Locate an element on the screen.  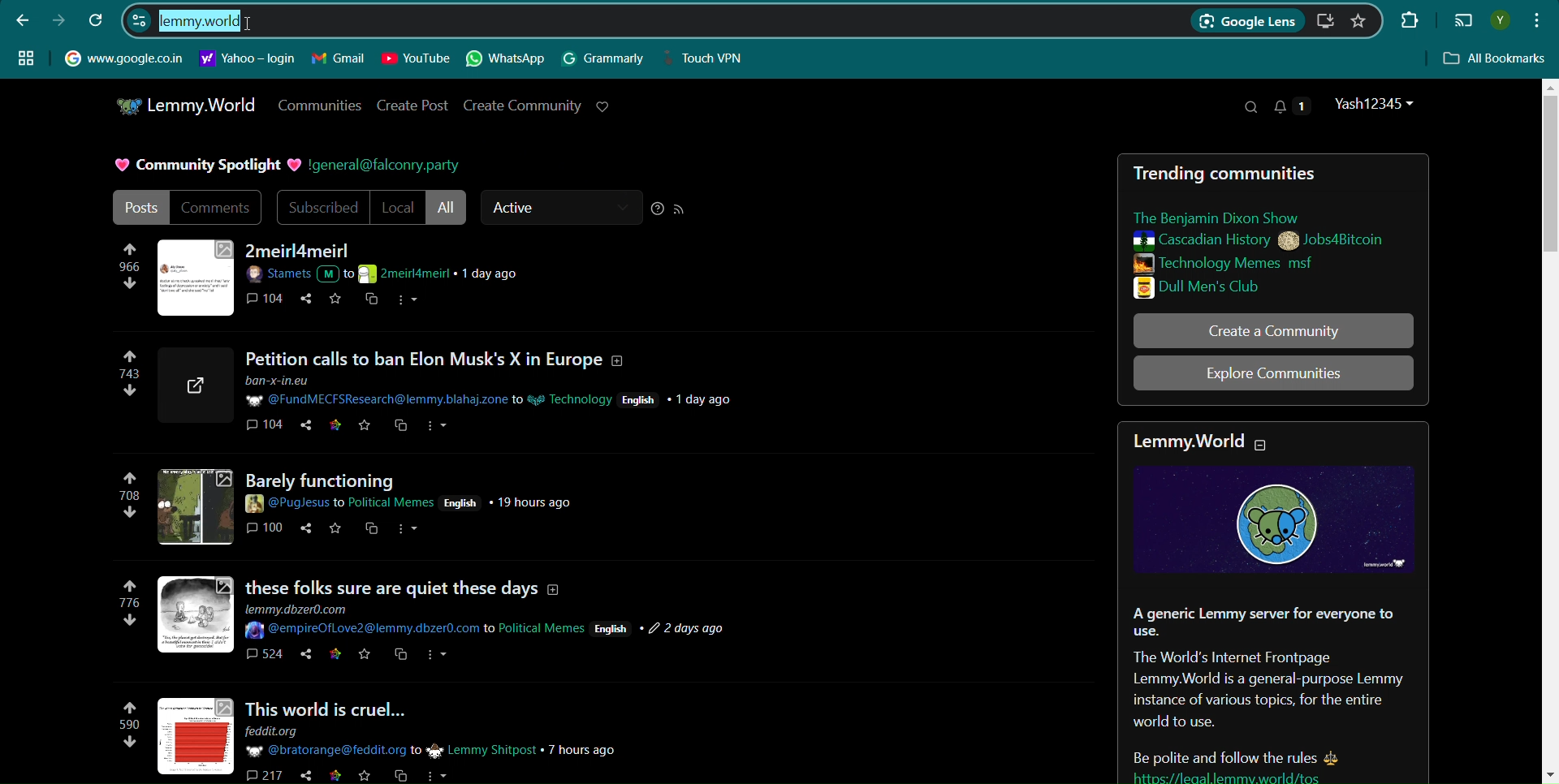
share is located at coordinates (304, 530).